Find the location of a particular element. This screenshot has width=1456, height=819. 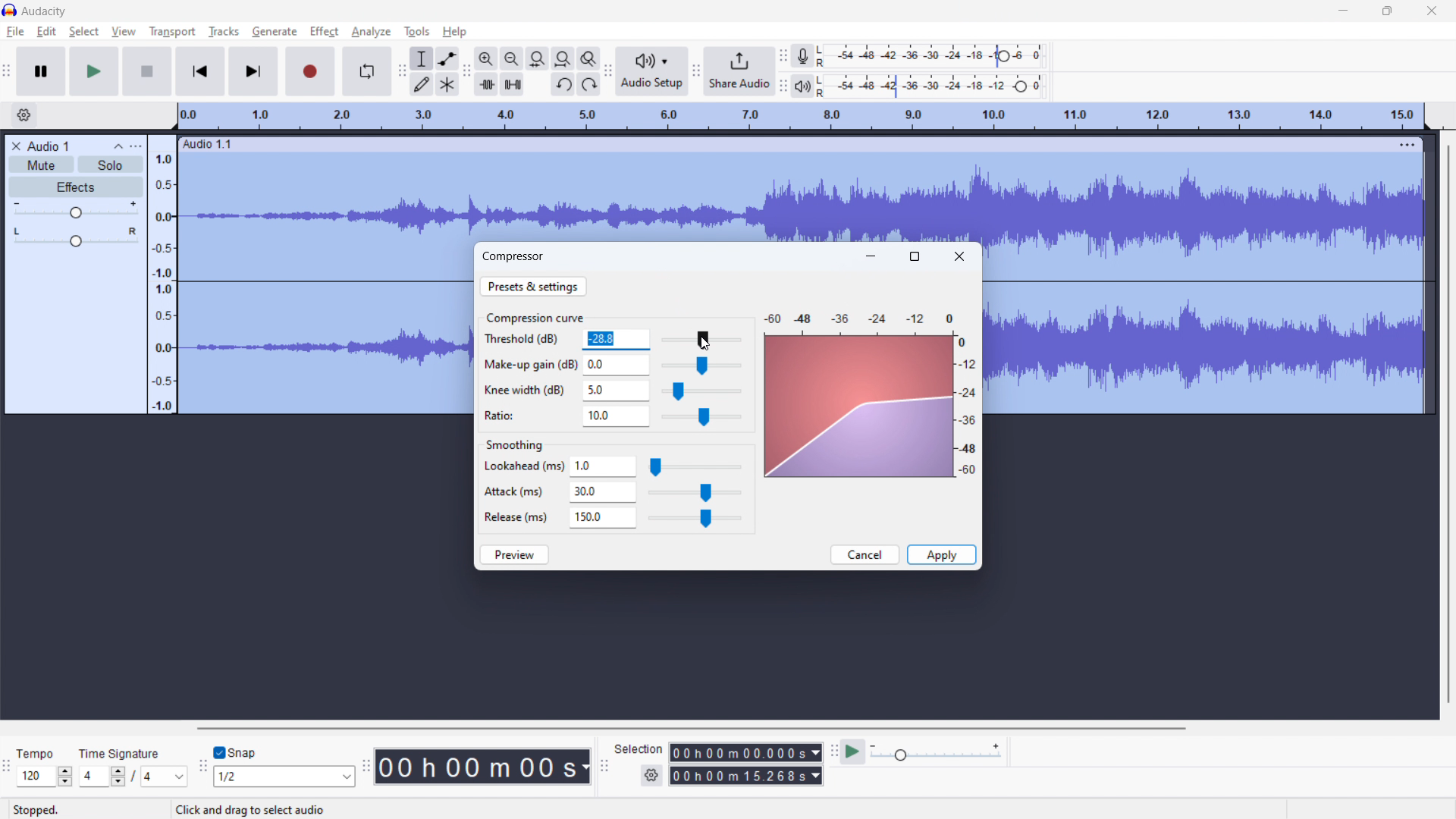

playback meter is located at coordinates (809, 86).